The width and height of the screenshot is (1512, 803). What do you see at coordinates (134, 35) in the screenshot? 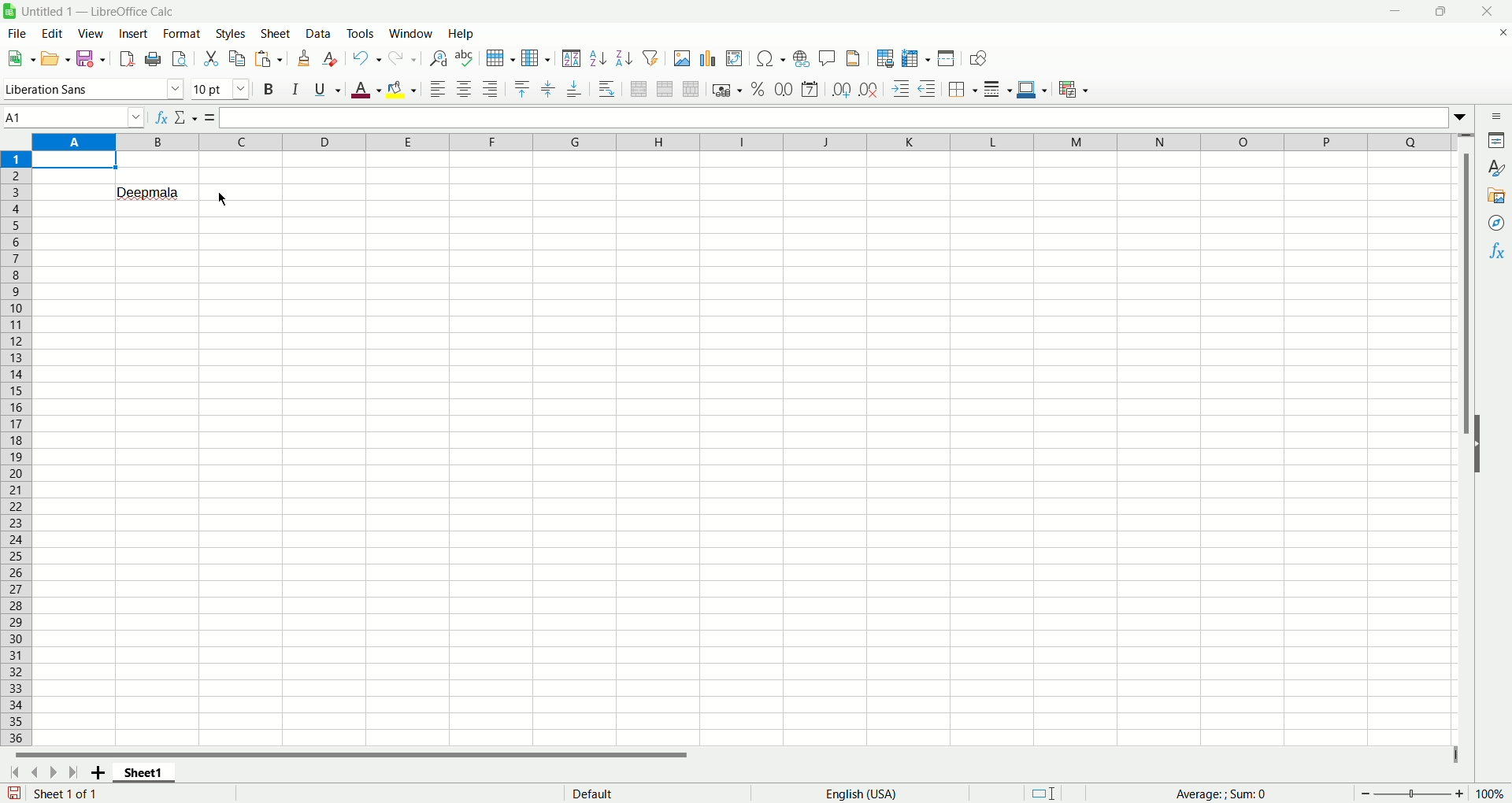
I see `Insert` at bounding box center [134, 35].